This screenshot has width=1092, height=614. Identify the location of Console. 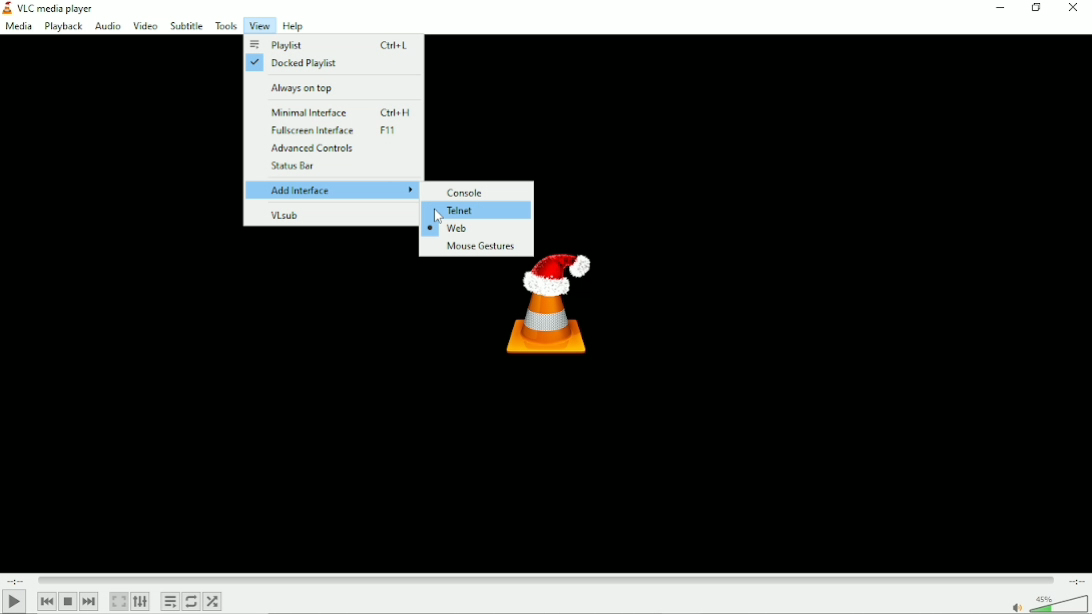
(469, 192).